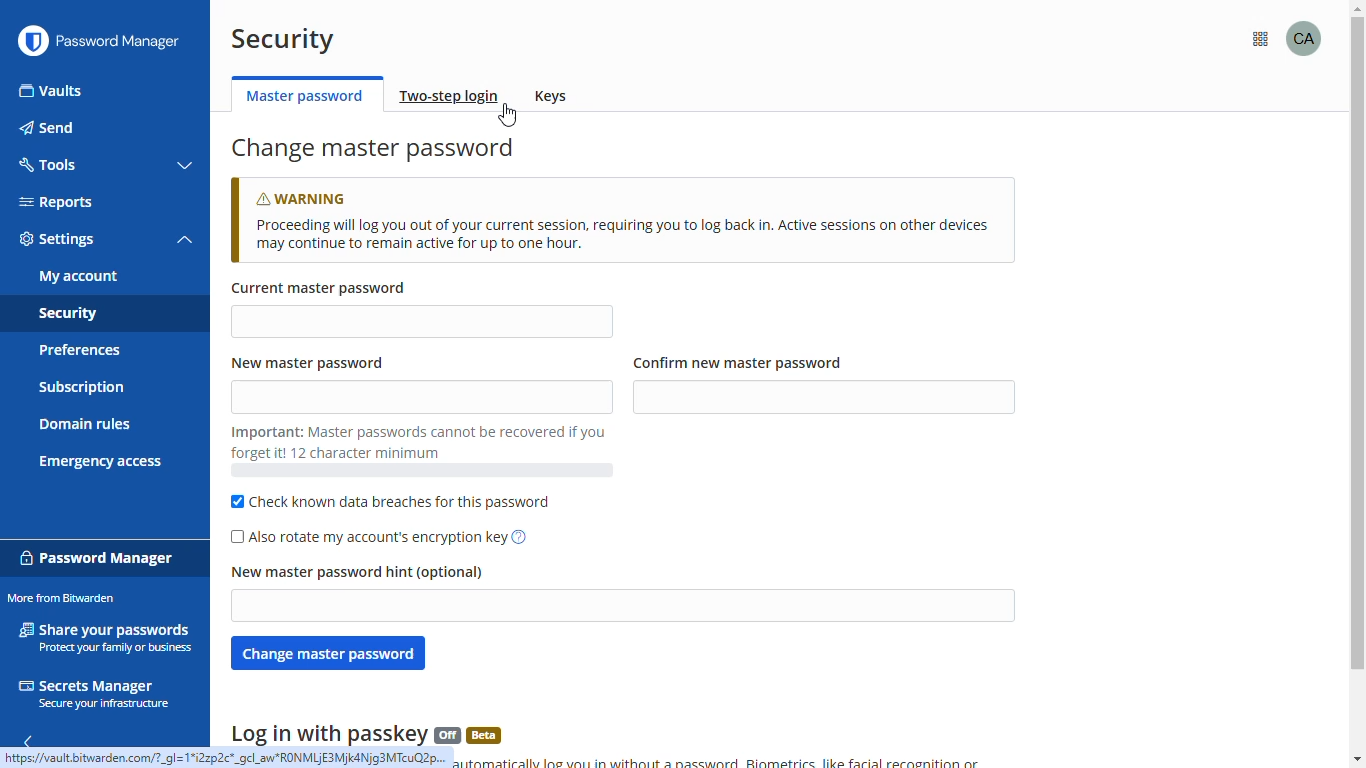 Image resolution: width=1366 pixels, height=768 pixels. What do you see at coordinates (49, 128) in the screenshot?
I see `send` at bounding box center [49, 128].